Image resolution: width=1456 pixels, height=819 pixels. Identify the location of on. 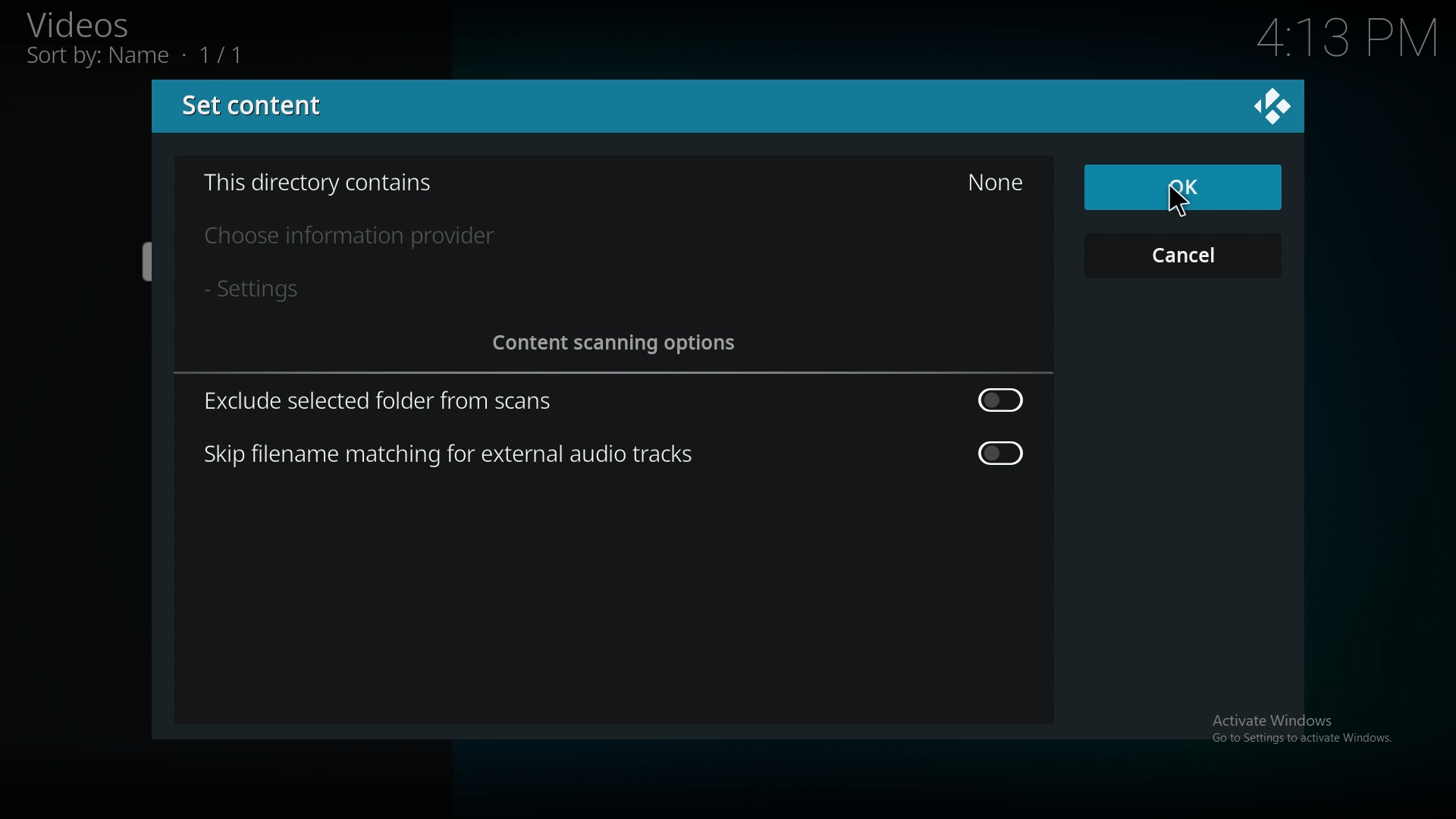
(1003, 454).